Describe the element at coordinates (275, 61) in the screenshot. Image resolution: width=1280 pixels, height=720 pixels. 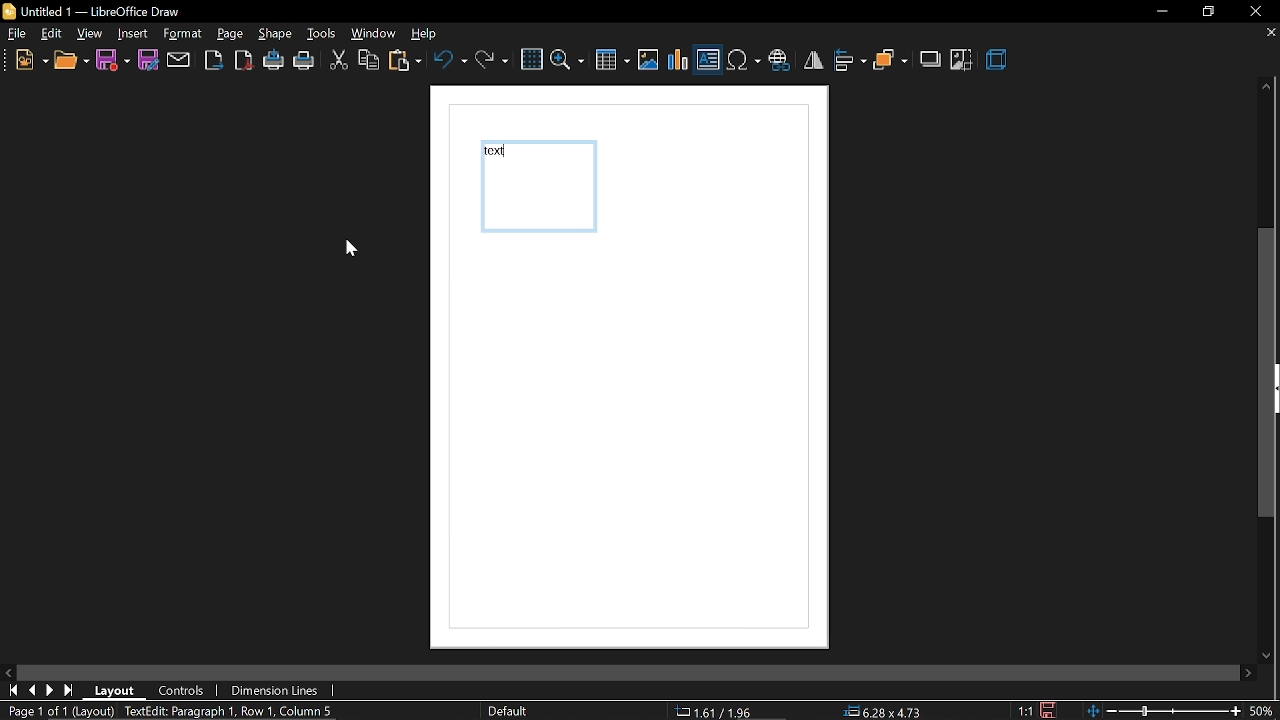
I see `print directly` at that location.